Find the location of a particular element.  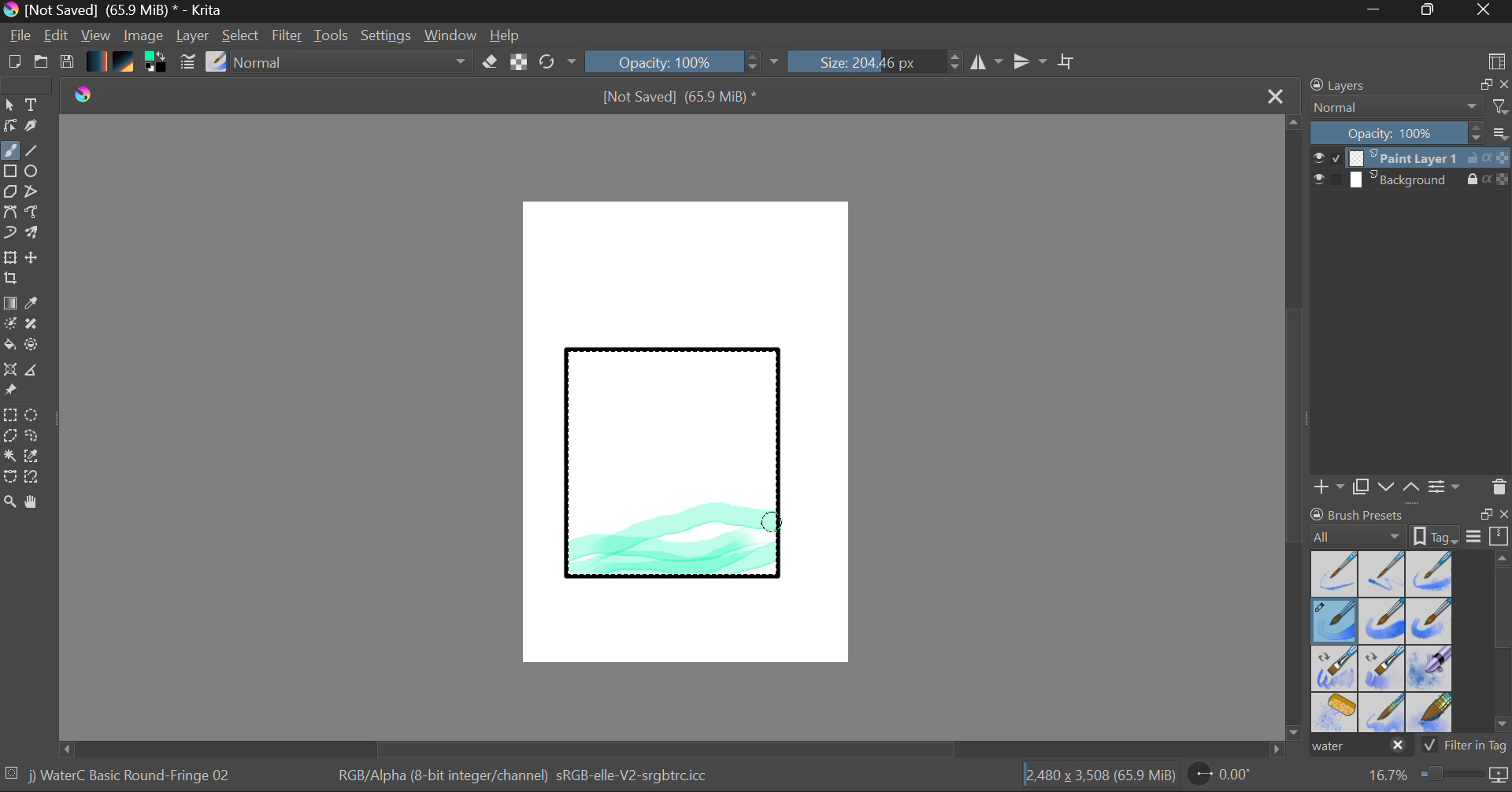

Layer 1 is located at coordinates (1412, 160).